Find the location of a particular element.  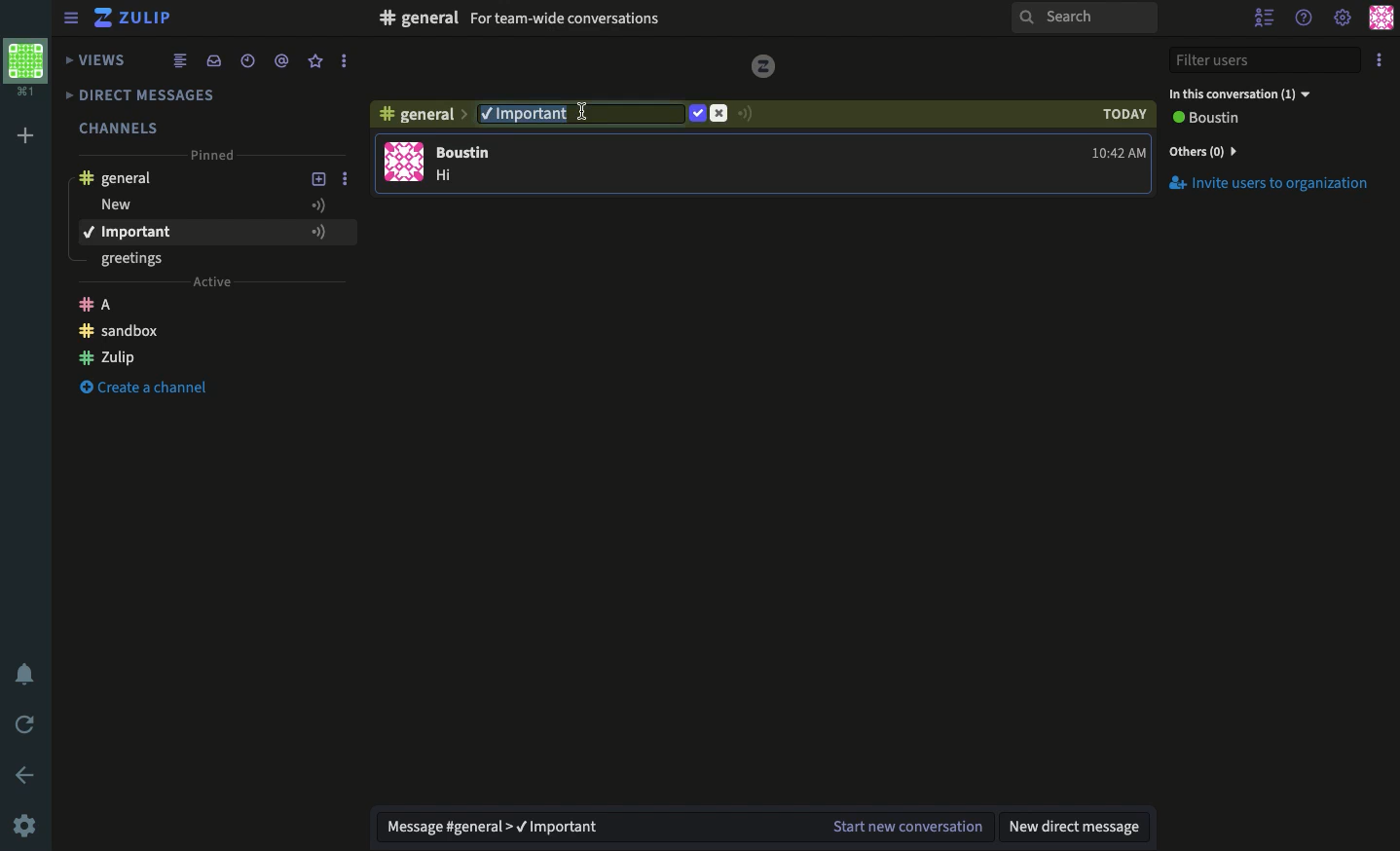

Add is located at coordinates (315, 232).